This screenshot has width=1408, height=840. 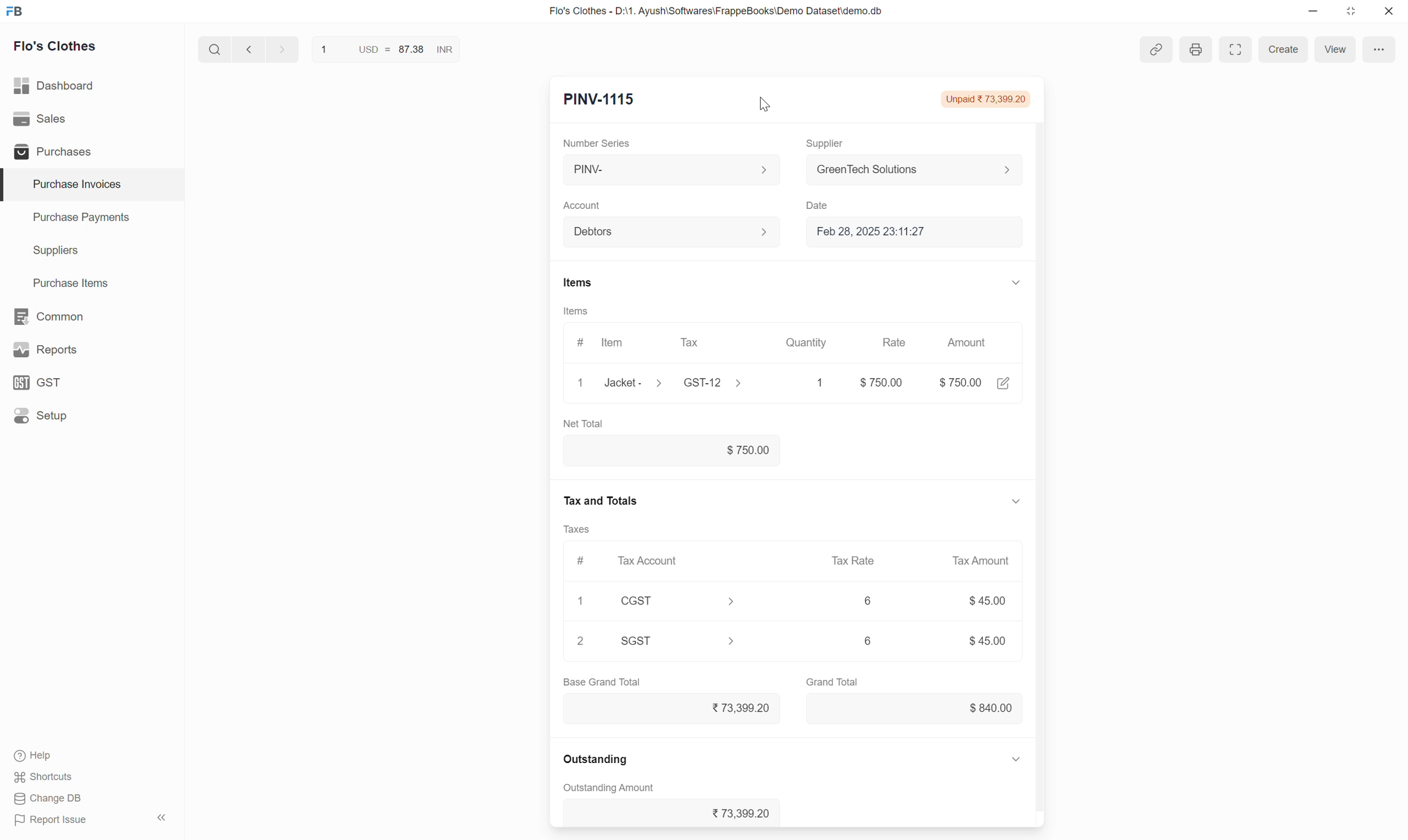 I want to click on Cursor, so click(x=765, y=104).